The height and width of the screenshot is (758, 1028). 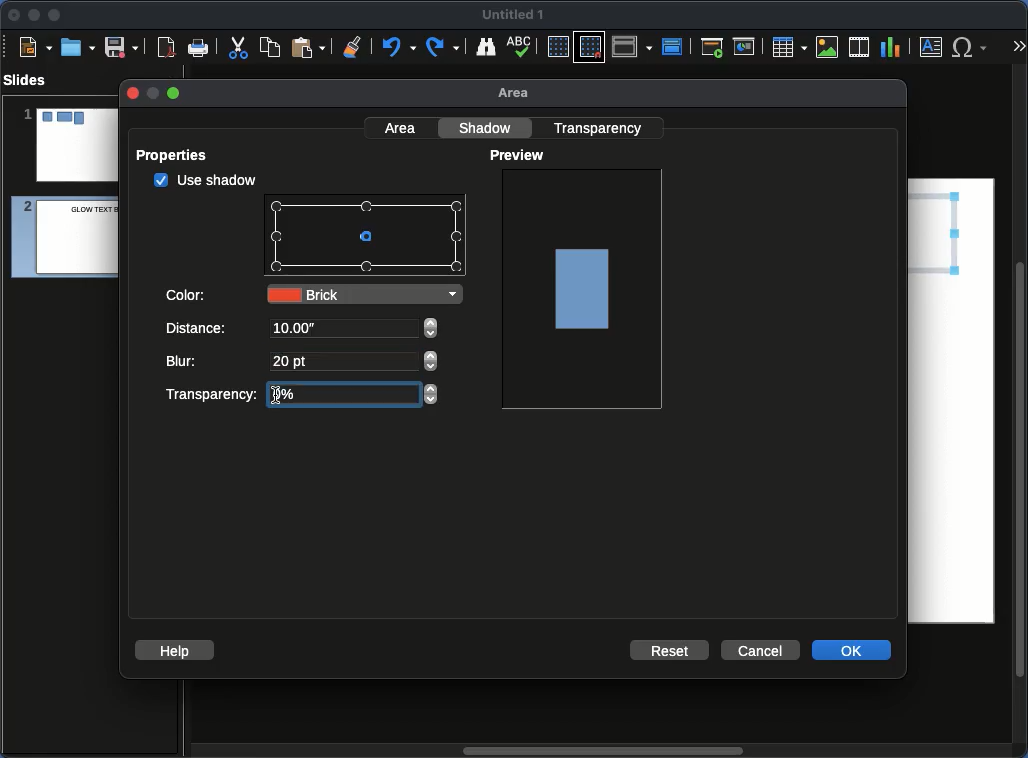 What do you see at coordinates (860, 47) in the screenshot?
I see `Audio or video` at bounding box center [860, 47].